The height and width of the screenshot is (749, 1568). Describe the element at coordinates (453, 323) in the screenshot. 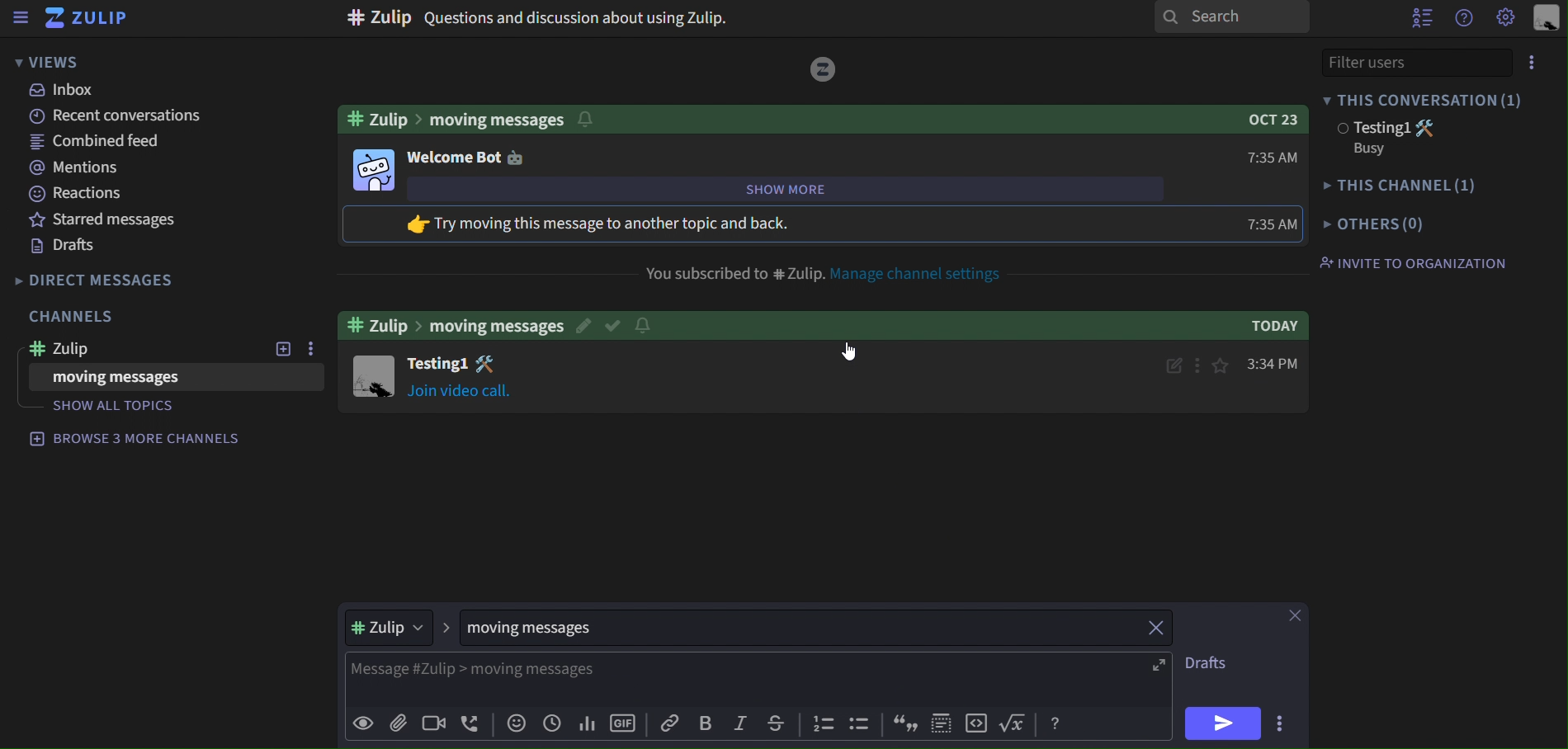

I see `# Zulip > moving messages` at that location.